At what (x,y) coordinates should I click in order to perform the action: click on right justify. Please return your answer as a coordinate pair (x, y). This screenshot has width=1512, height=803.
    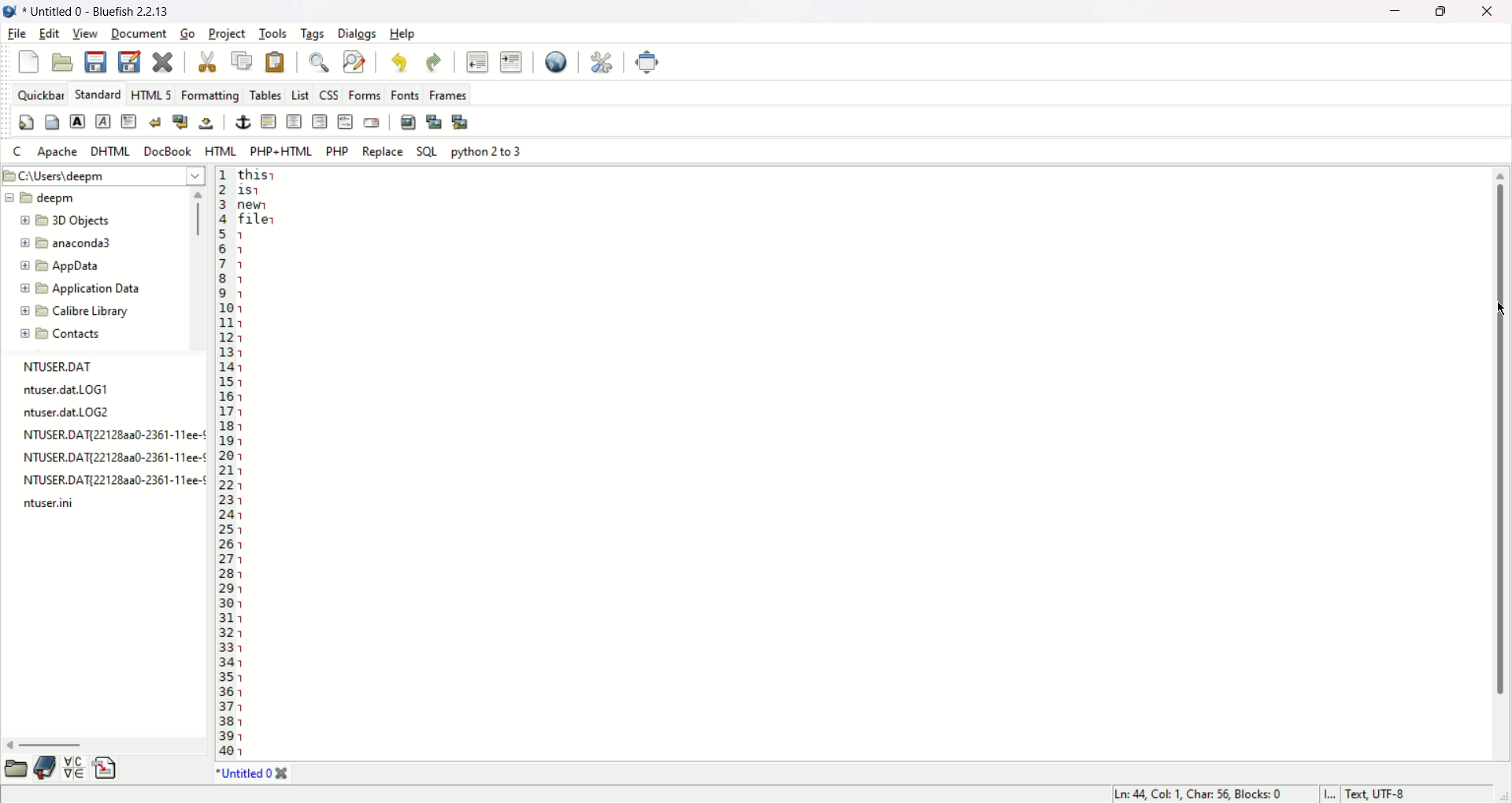
    Looking at the image, I should click on (321, 121).